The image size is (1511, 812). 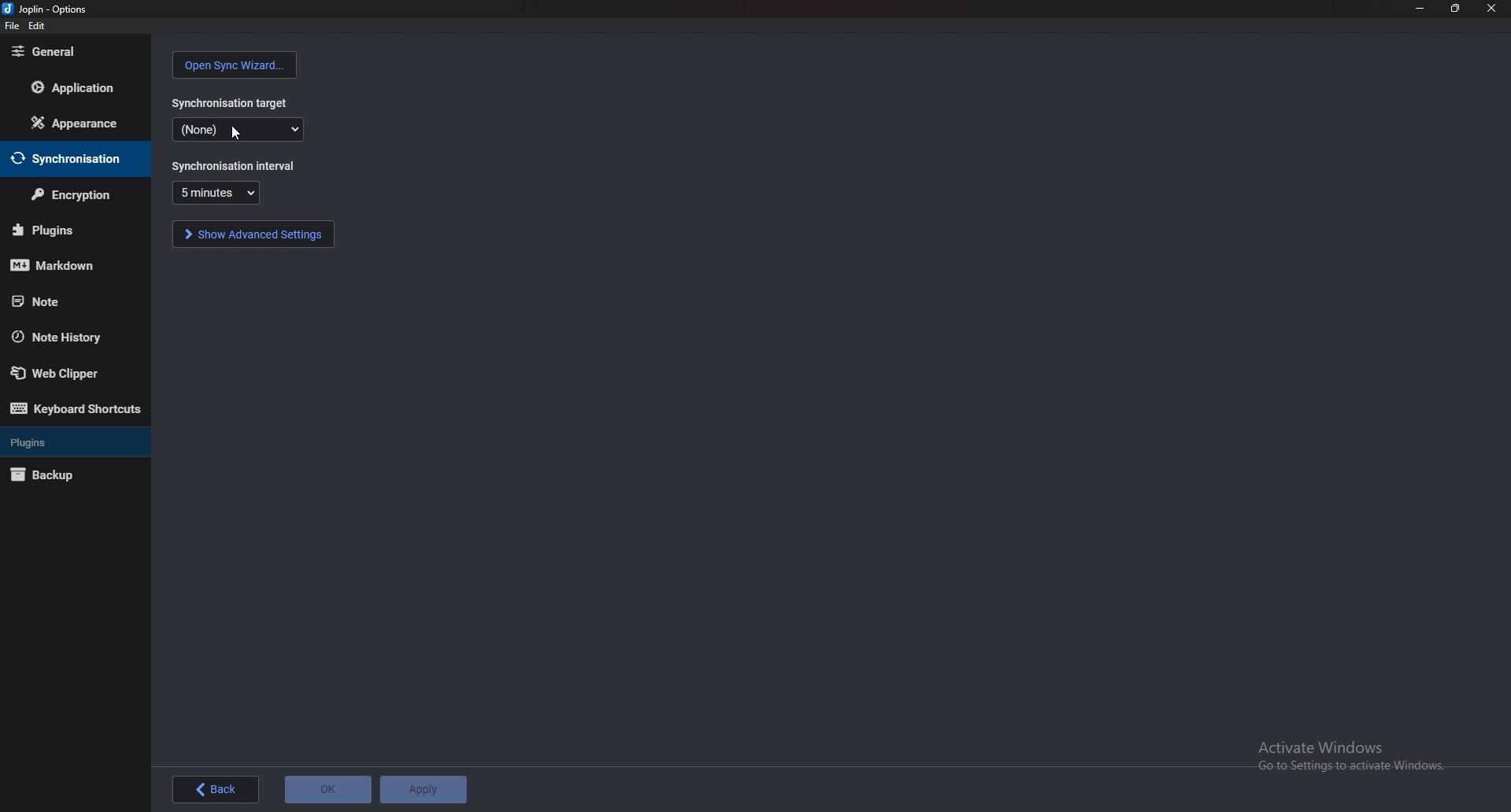 What do you see at coordinates (235, 65) in the screenshot?
I see `Open sync wizard` at bounding box center [235, 65].